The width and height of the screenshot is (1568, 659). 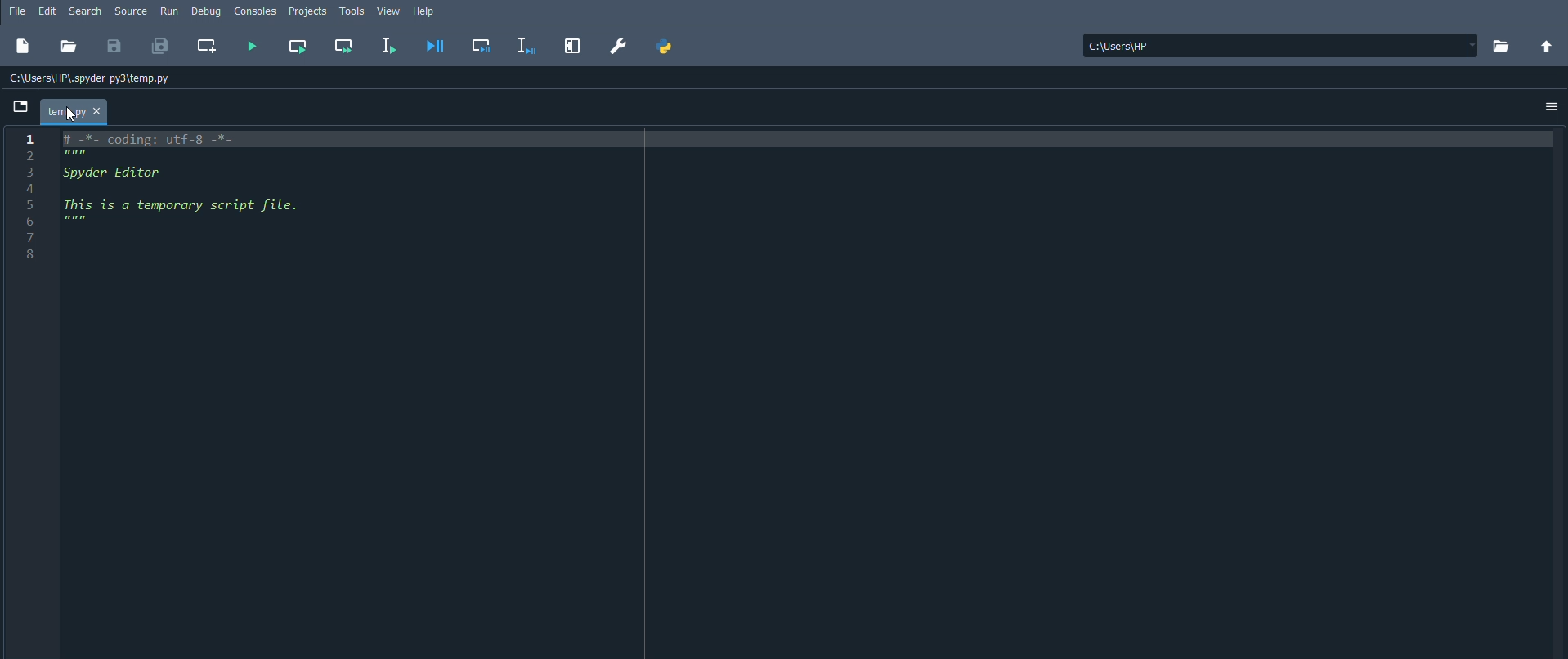 What do you see at coordinates (618, 46) in the screenshot?
I see `Preferences` at bounding box center [618, 46].